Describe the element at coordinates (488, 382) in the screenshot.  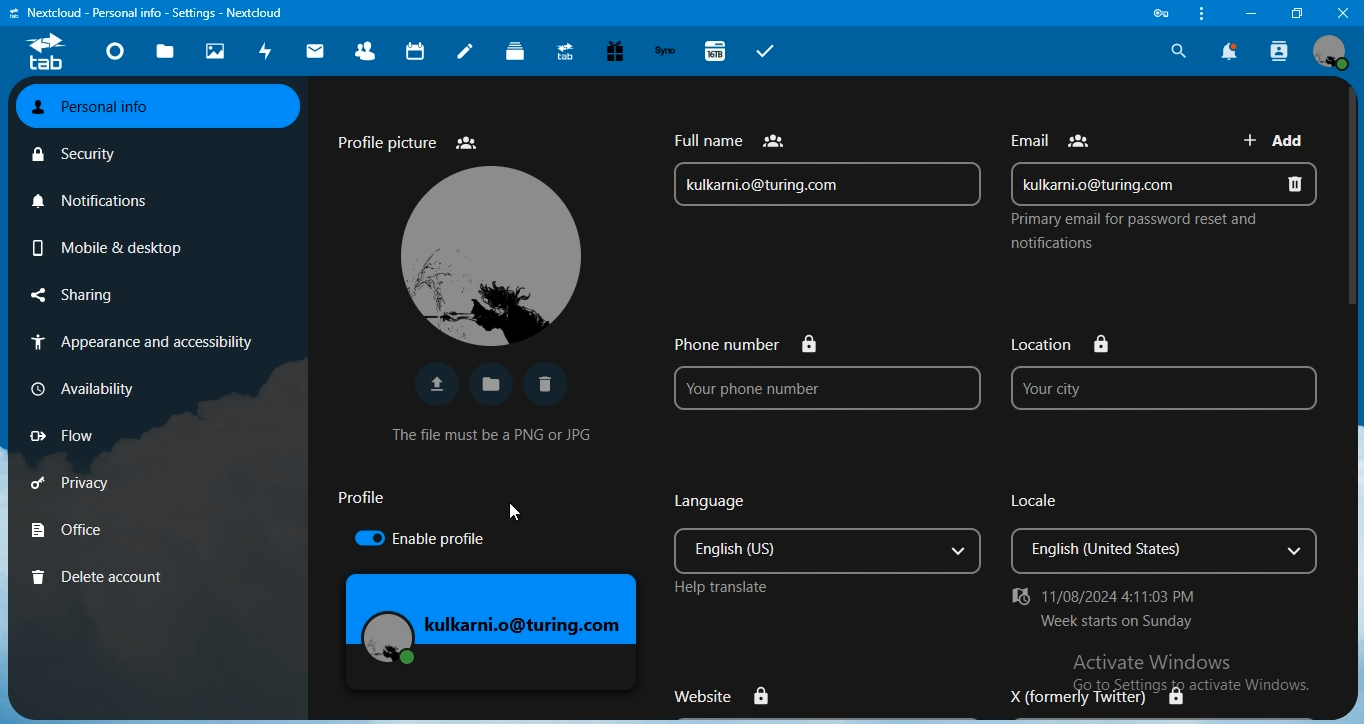
I see `Files` at that location.